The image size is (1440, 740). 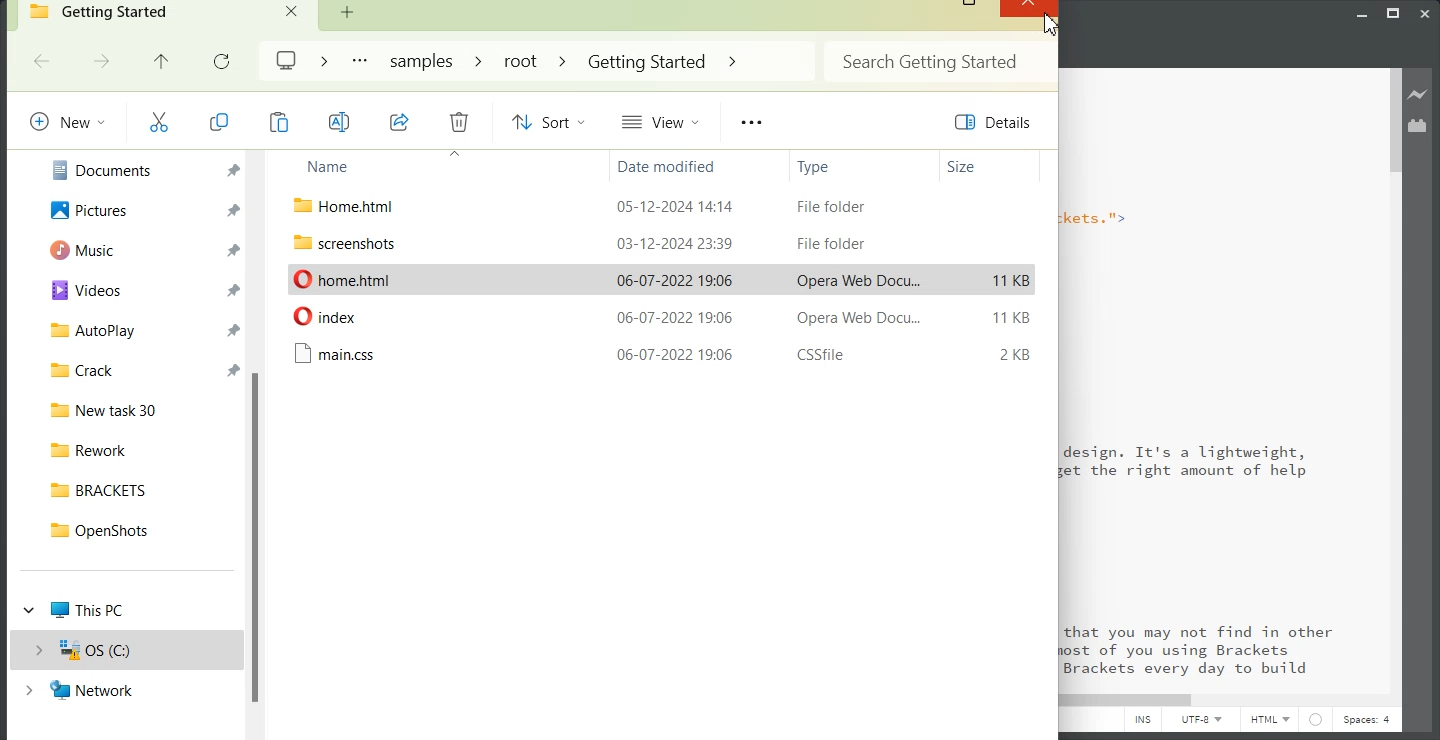 I want to click on New, so click(x=66, y=121).